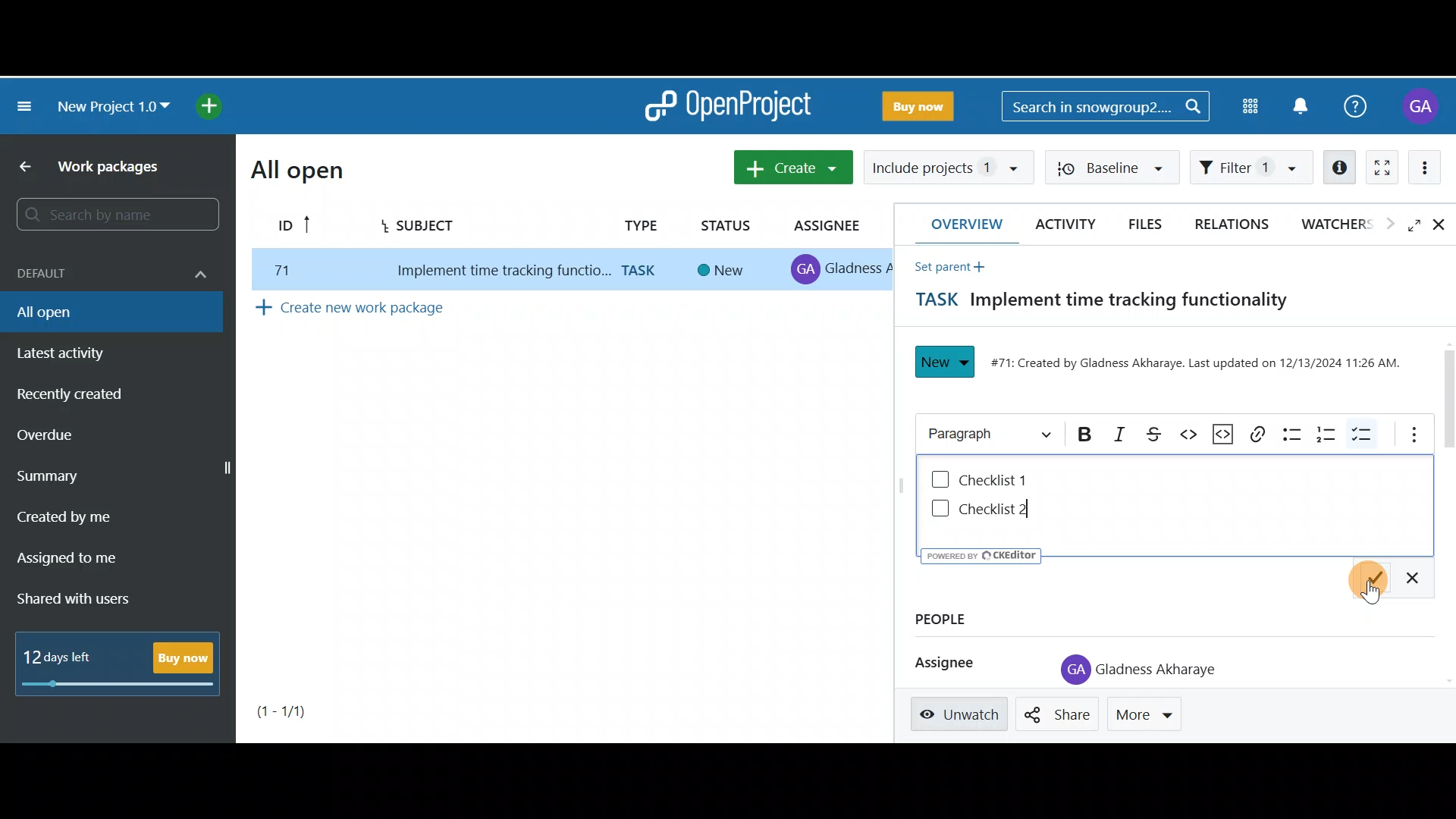  What do you see at coordinates (962, 714) in the screenshot?
I see `Unwatch` at bounding box center [962, 714].